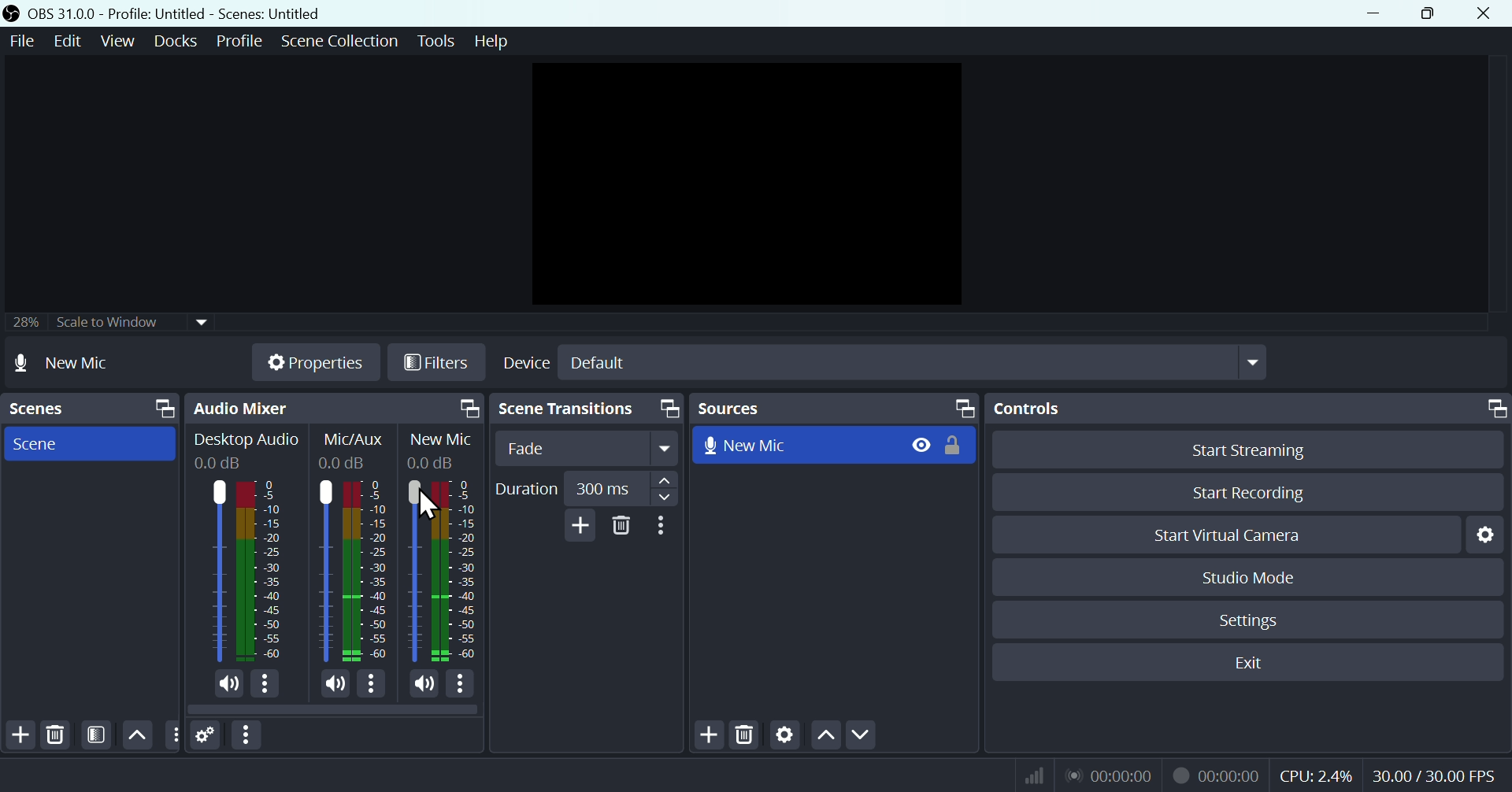 This screenshot has width=1512, height=792. I want to click on No source selected, so click(80, 362).